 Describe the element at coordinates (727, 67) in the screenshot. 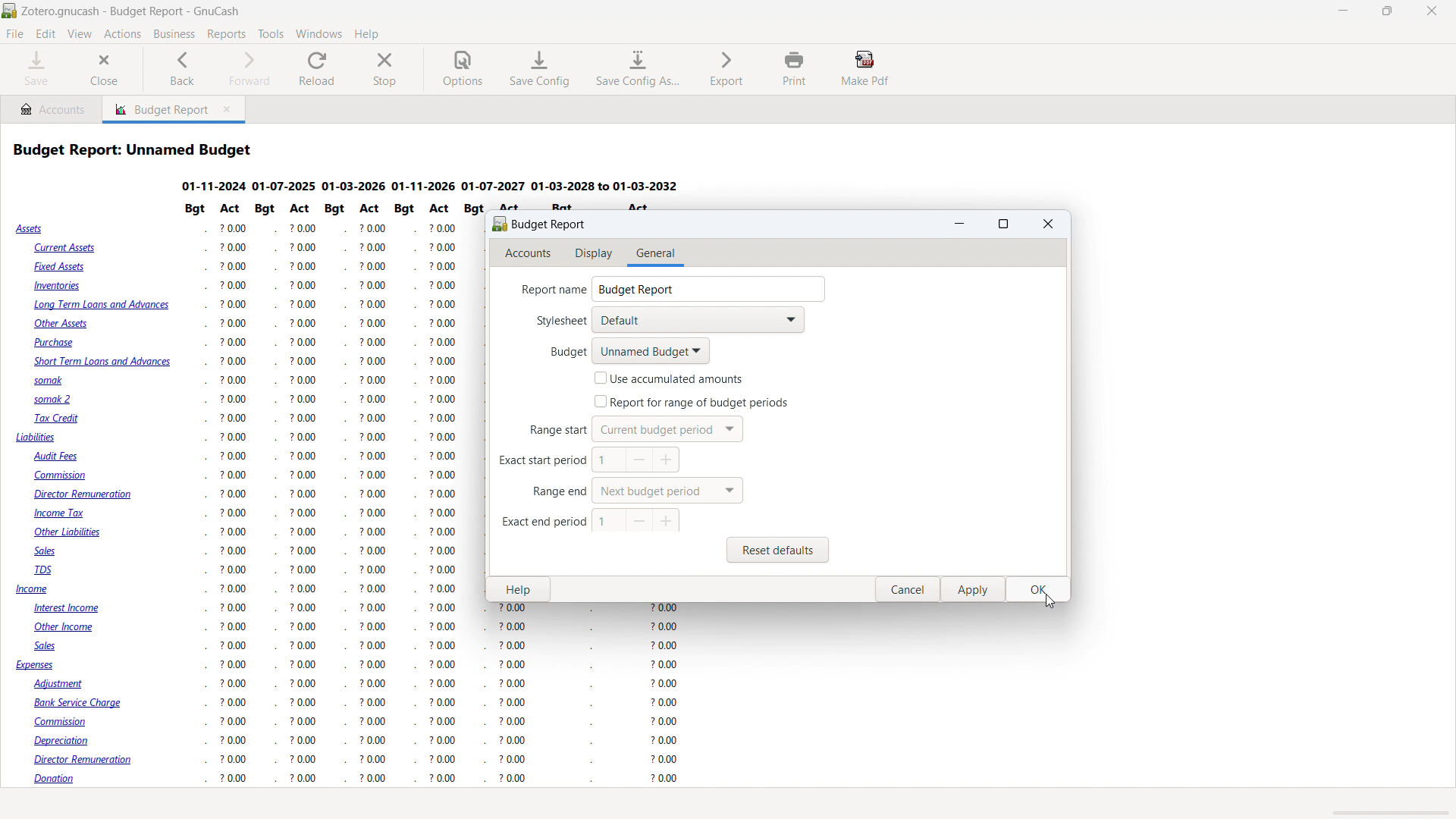

I see `export` at that location.